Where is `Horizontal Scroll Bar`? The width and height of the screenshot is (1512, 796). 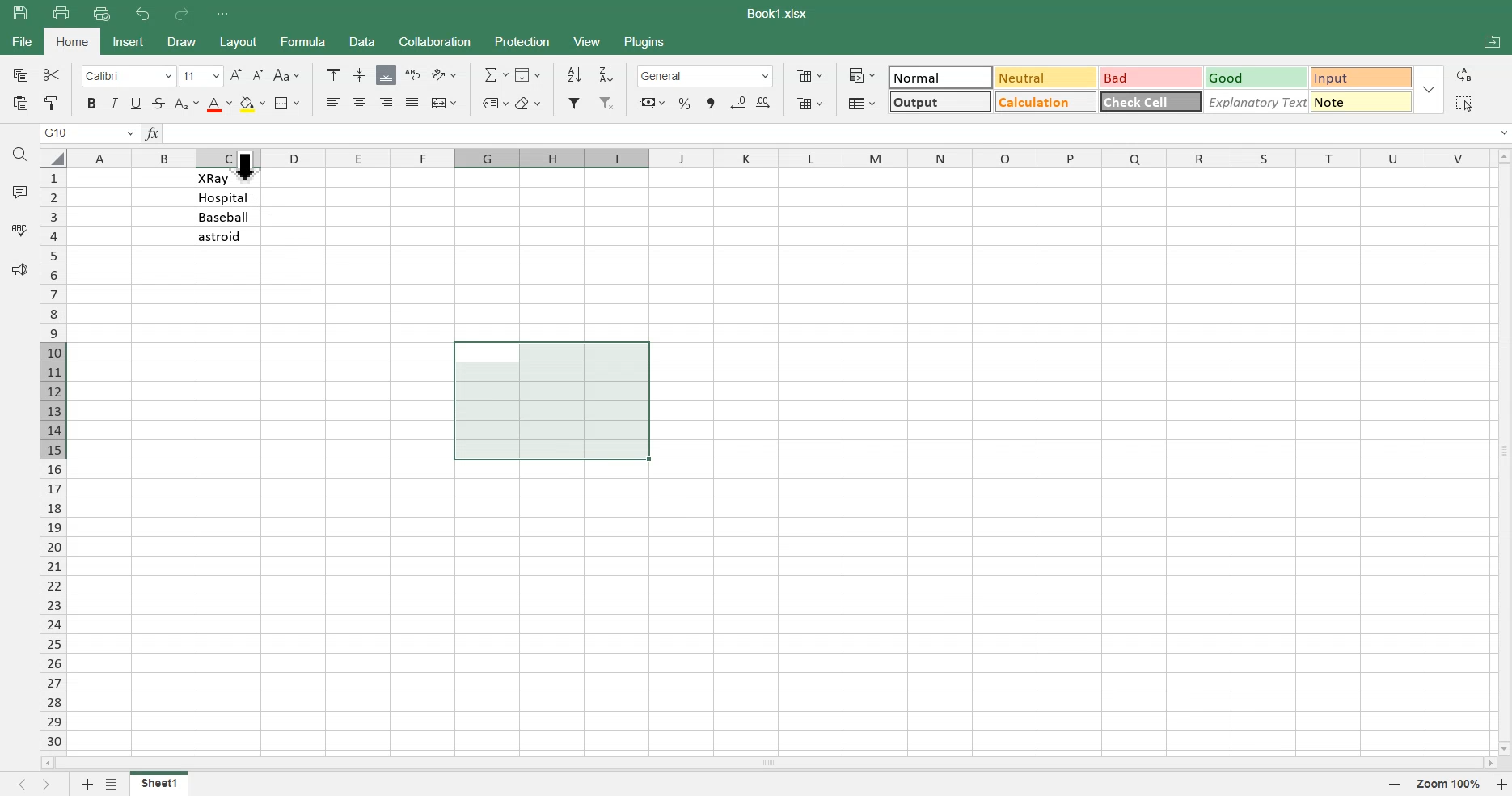
Horizontal Scroll Bar is located at coordinates (768, 762).